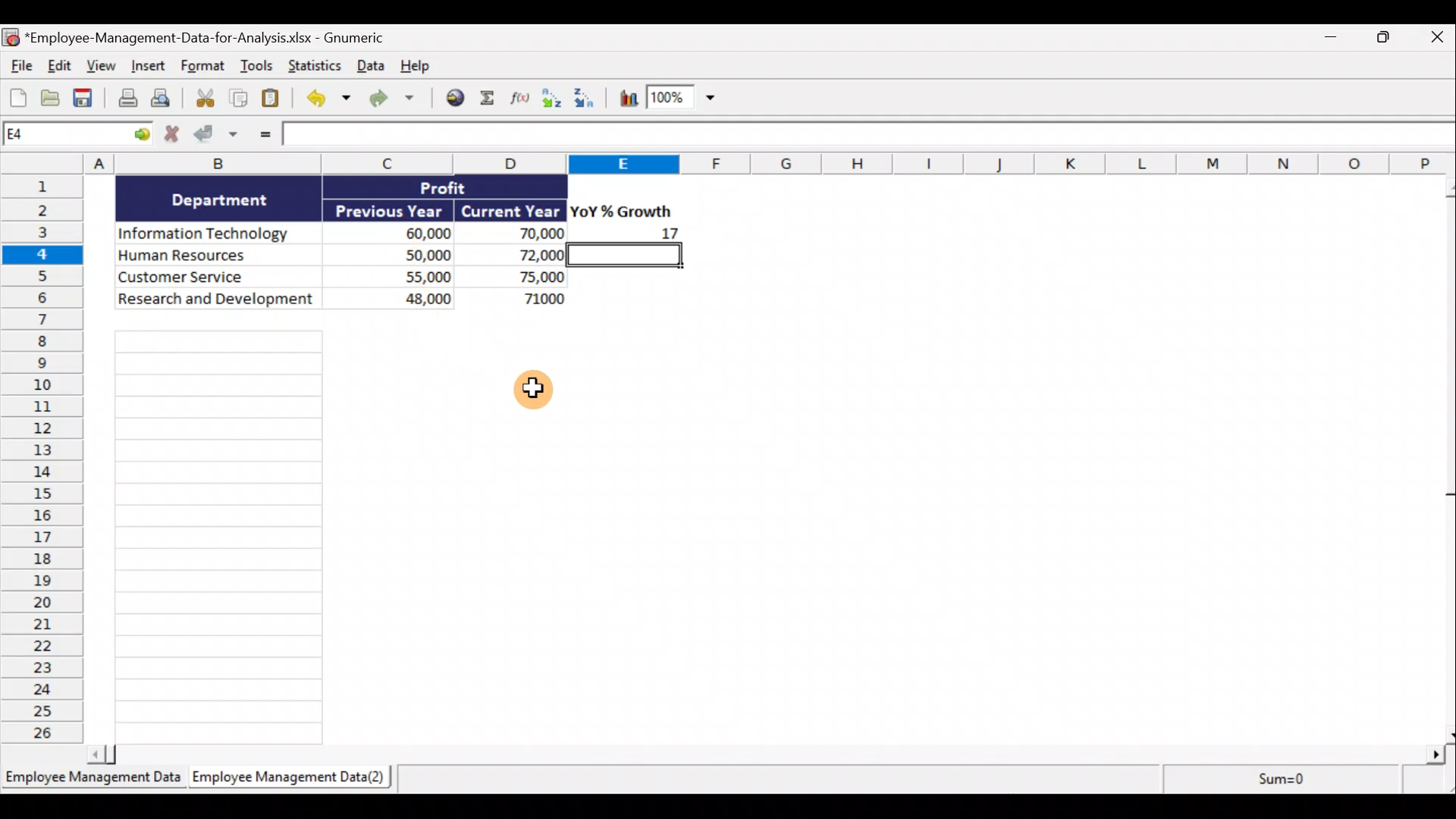 This screenshot has width=1456, height=819. What do you see at coordinates (1328, 40) in the screenshot?
I see `Minimise` at bounding box center [1328, 40].